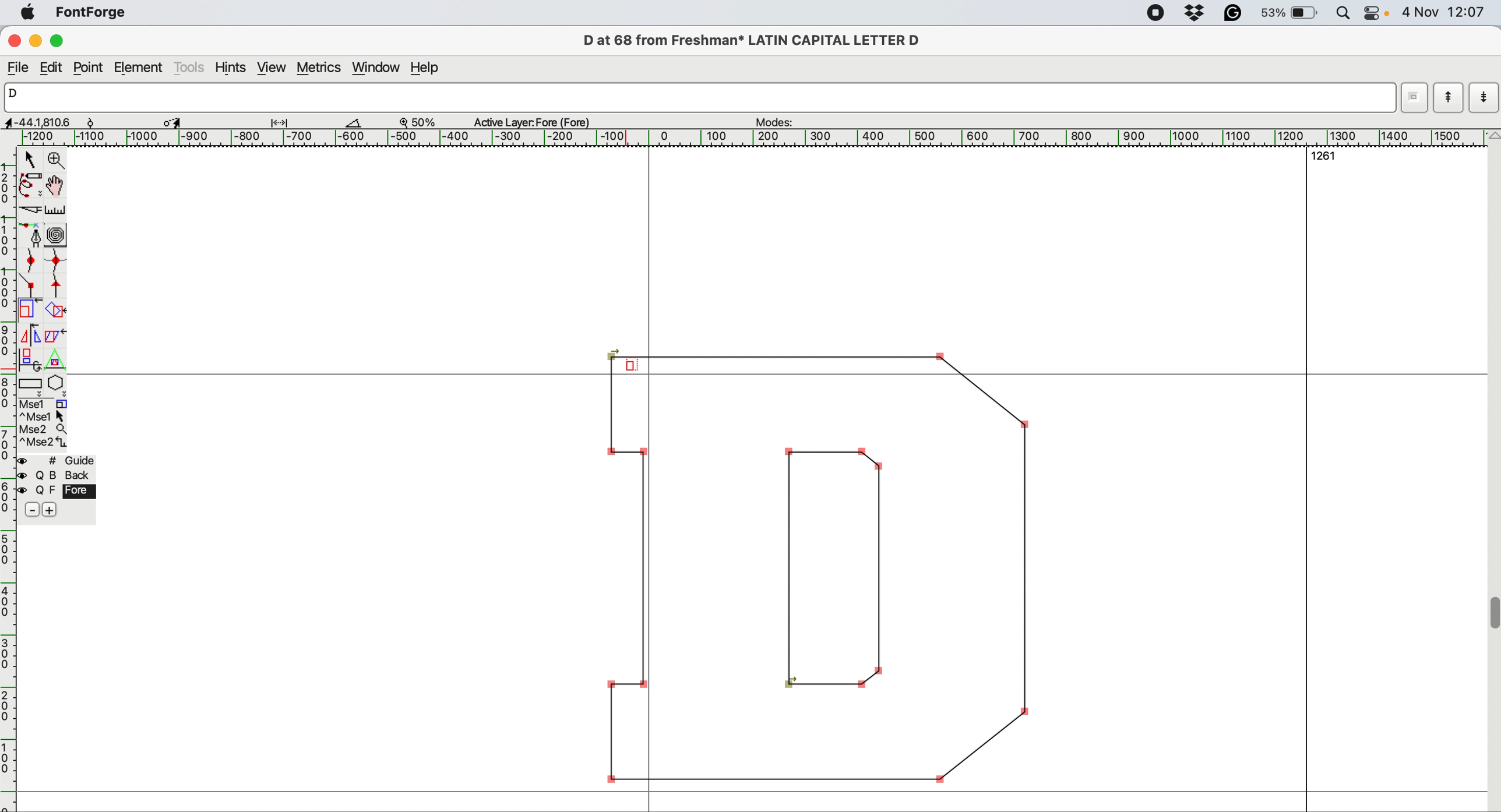  Describe the element at coordinates (1444, 12) in the screenshot. I see `4 Nov 12:07` at that location.